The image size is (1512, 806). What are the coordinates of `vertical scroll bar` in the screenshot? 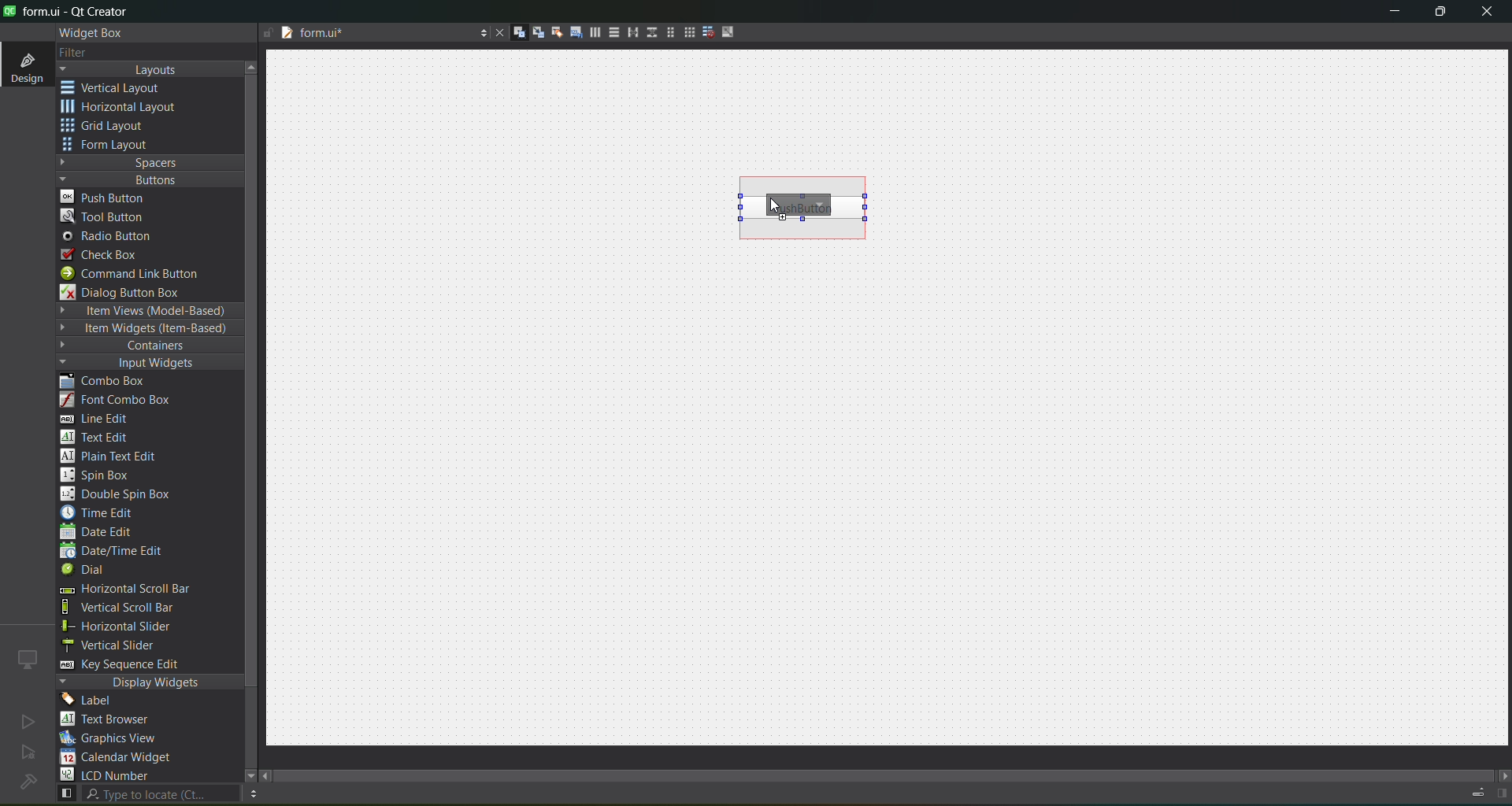 It's located at (135, 608).